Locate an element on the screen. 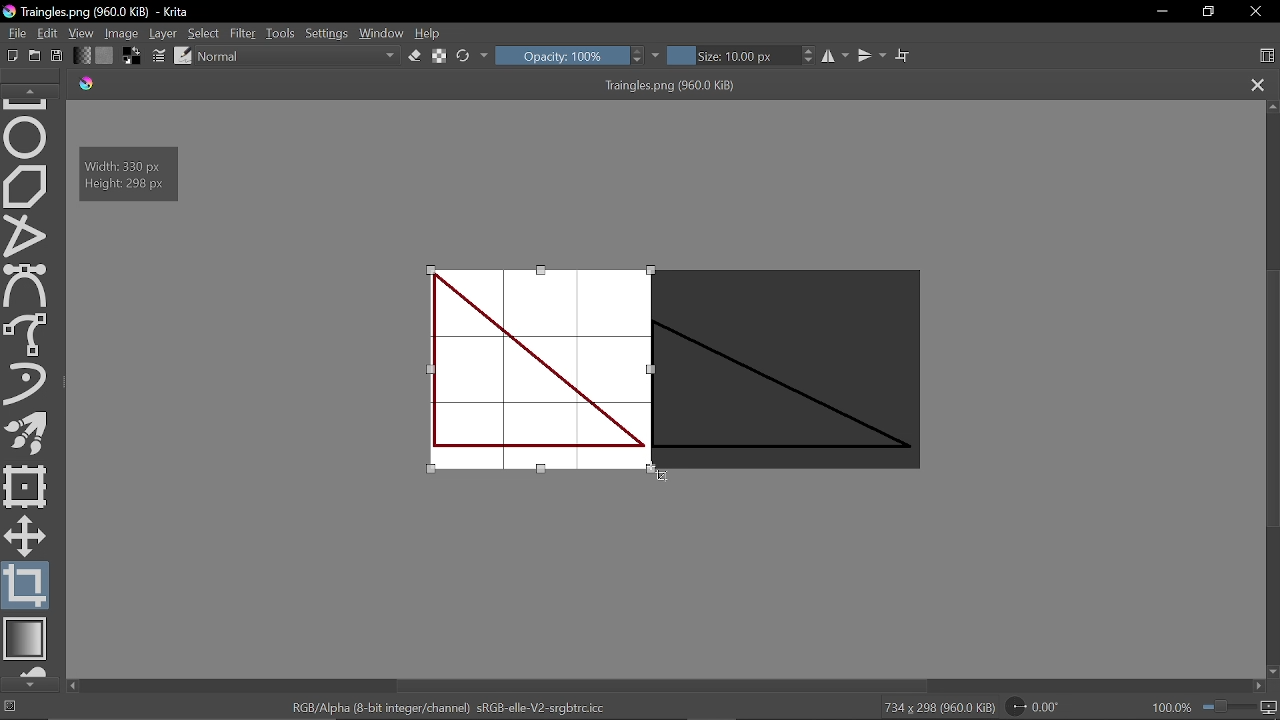  Opacity: 100% is located at coordinates (561, 55).